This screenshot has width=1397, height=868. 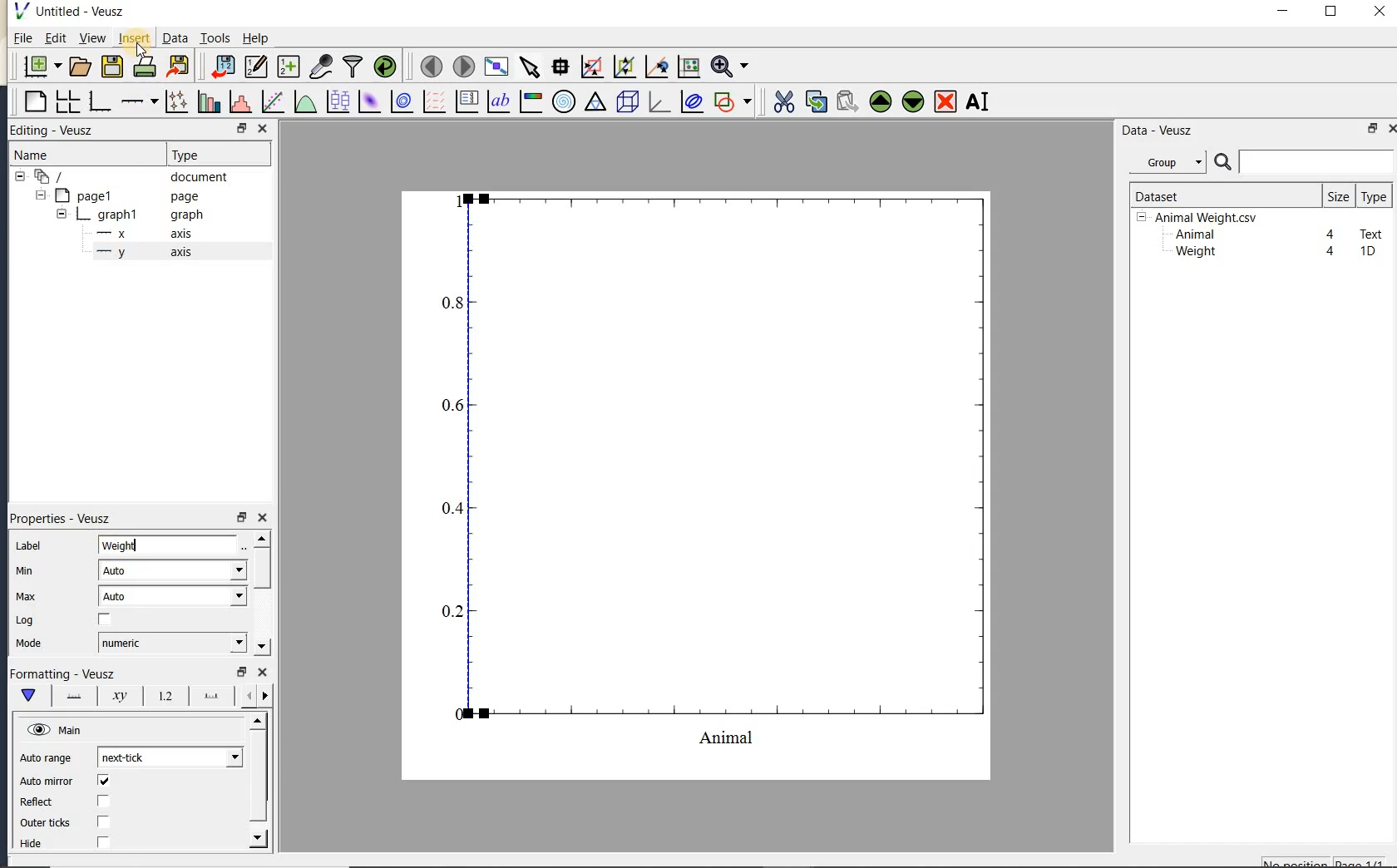 What do you see at coordinates (57, 731) in the screenshot?
I see `Main` at bounding box center [57, 731].